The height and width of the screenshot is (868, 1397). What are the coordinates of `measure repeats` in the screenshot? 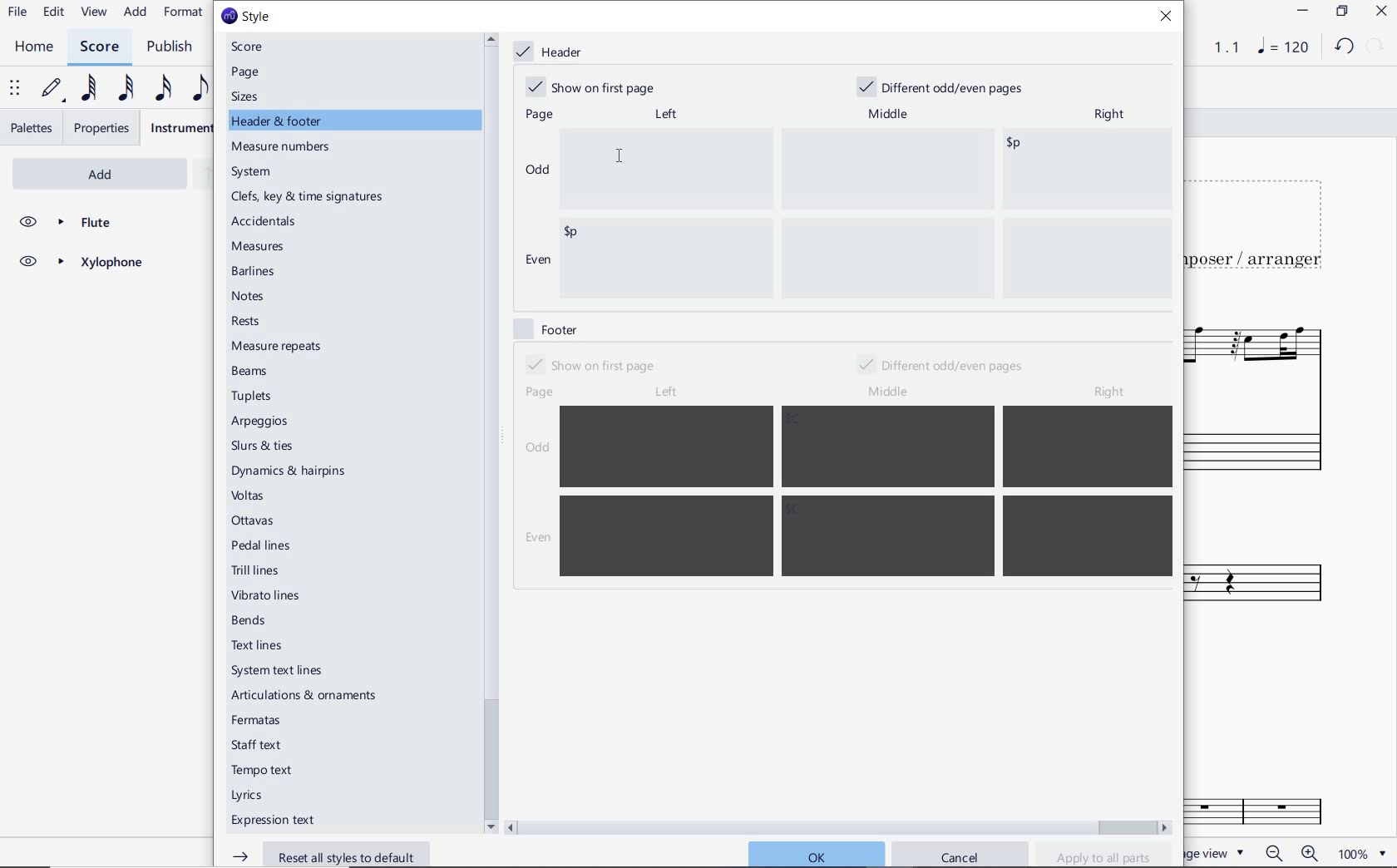 It's located at (277, 346).